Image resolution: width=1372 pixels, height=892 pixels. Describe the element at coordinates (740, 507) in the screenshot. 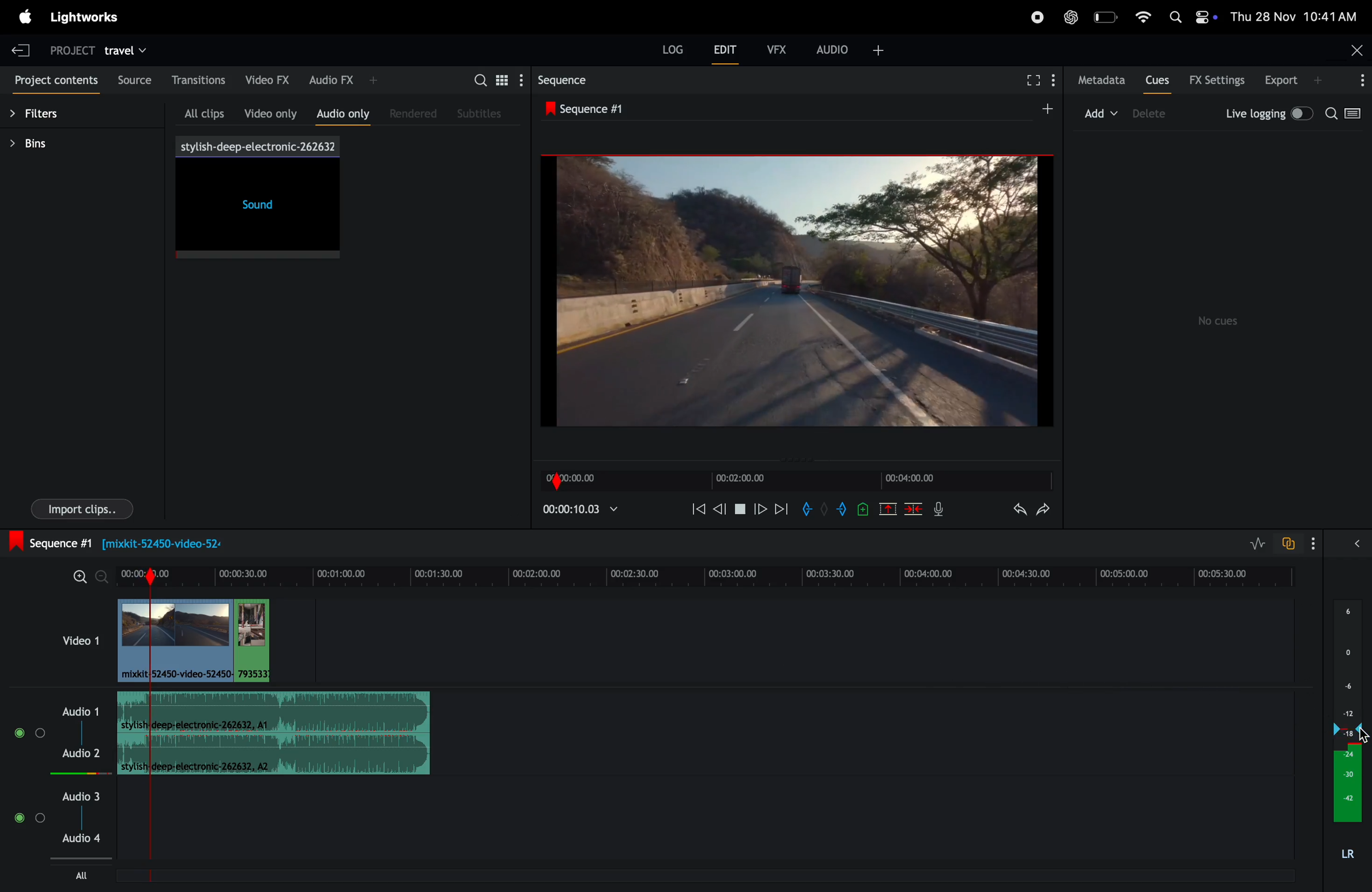

I see `pause play` at that location.